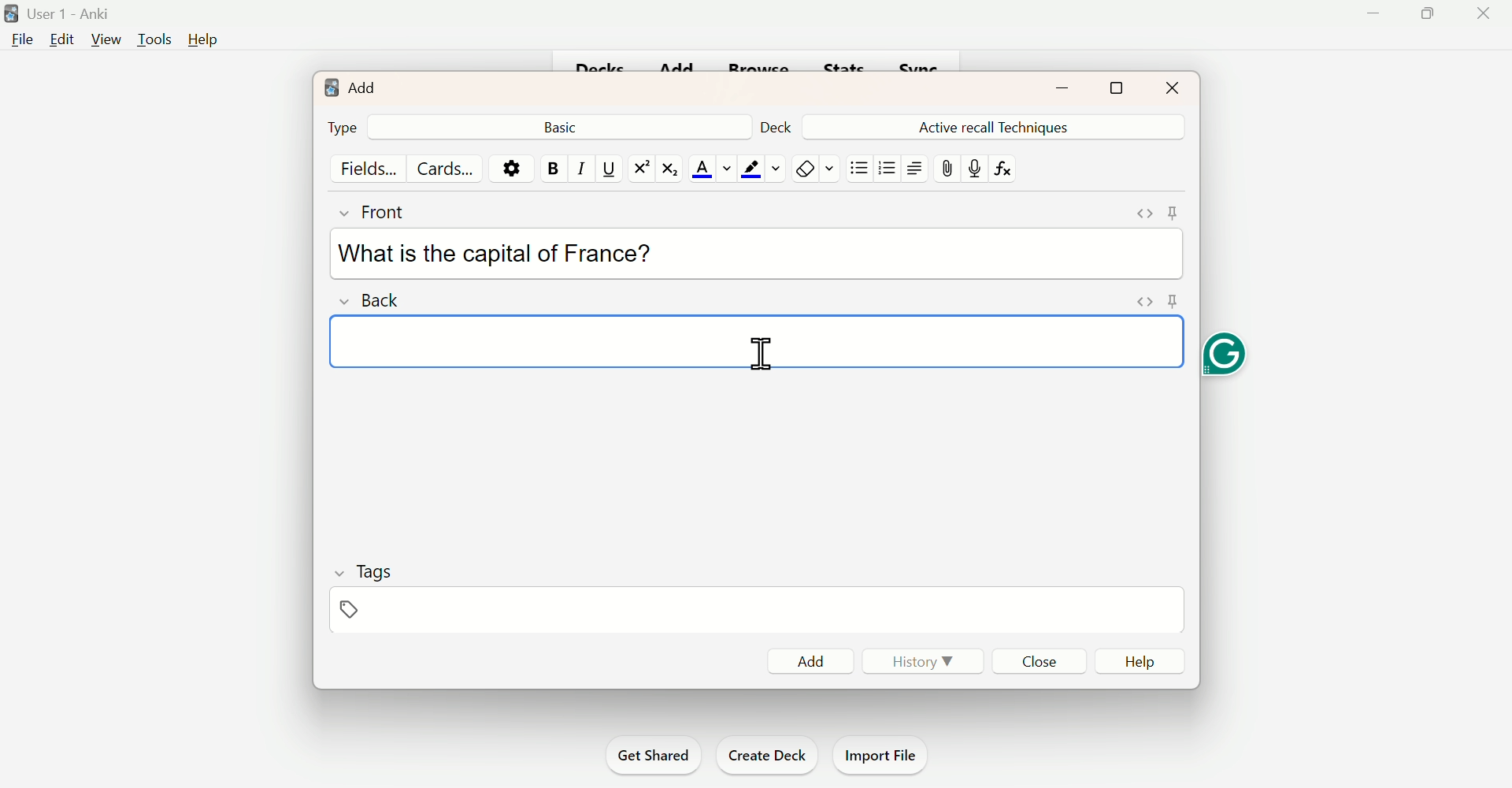  I want to click on pin, so click(1161, 303).